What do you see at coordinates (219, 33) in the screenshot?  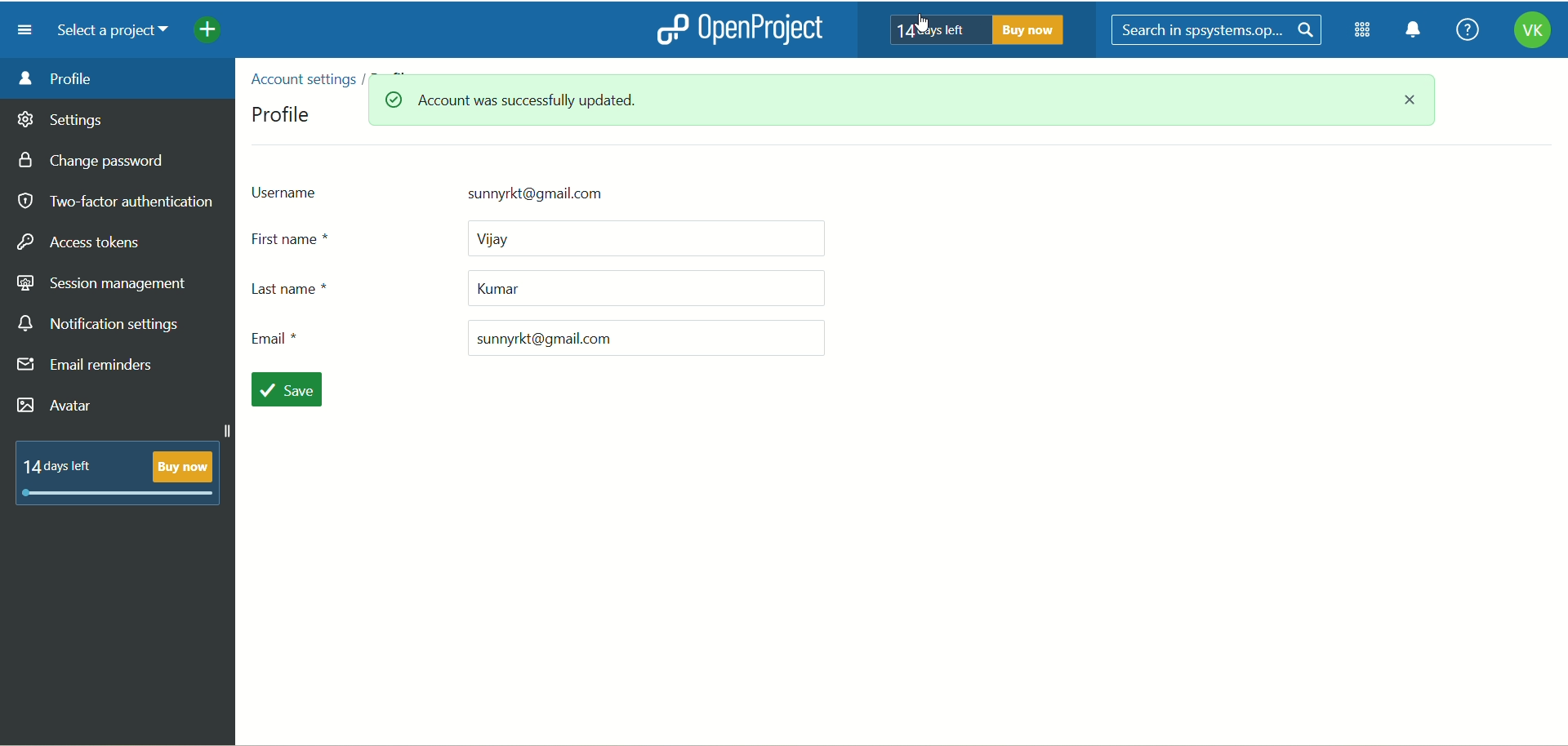 I see `add project` at bounding box center [219, 33].